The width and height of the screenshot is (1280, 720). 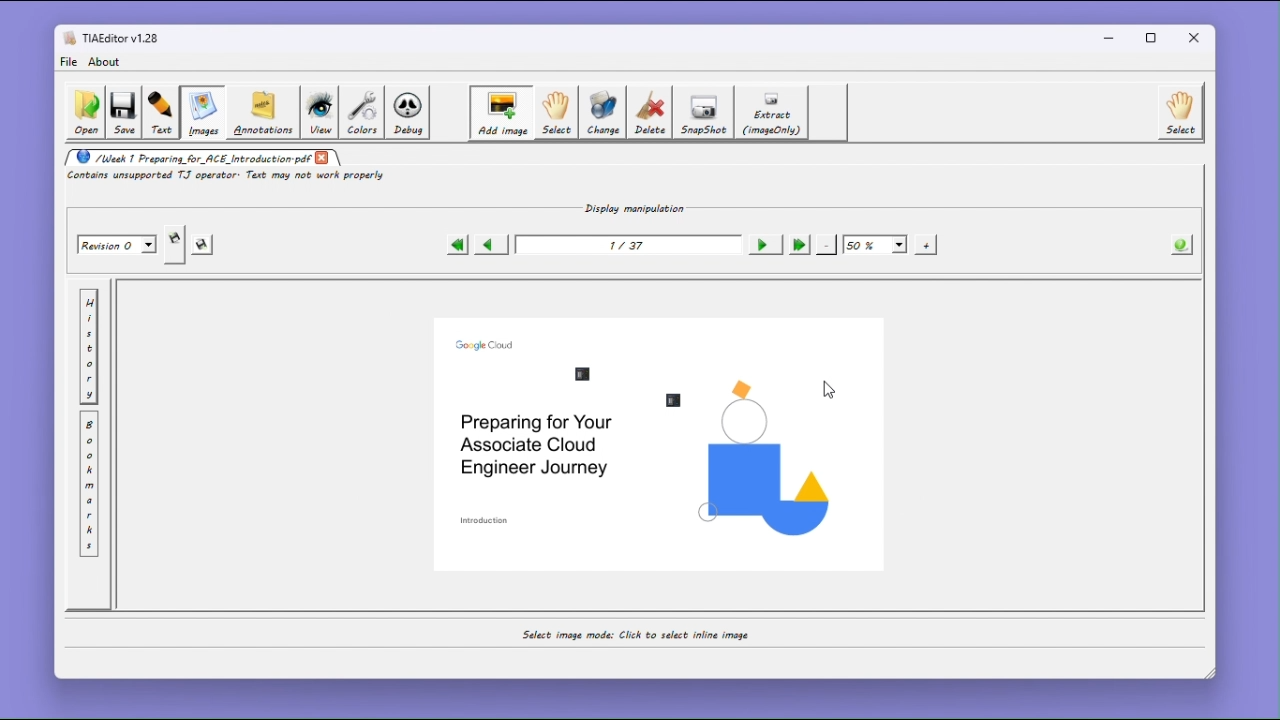 What do you see at coordinates (261, 112) in the screenshot?
I see `Annotations ` at bounding box center [261, 112].